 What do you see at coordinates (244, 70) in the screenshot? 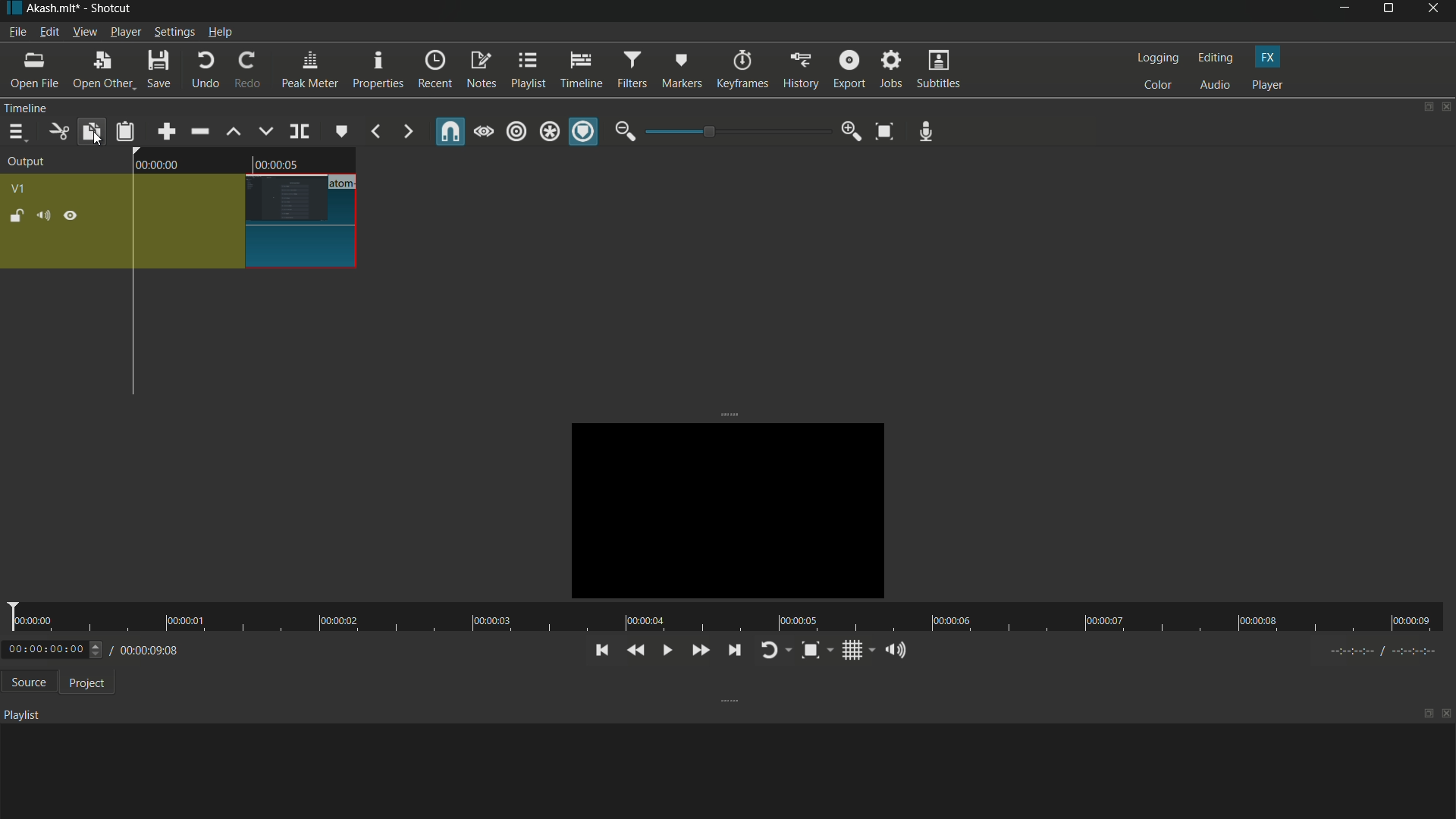
I see `redo` at bounding box center [244, 70].